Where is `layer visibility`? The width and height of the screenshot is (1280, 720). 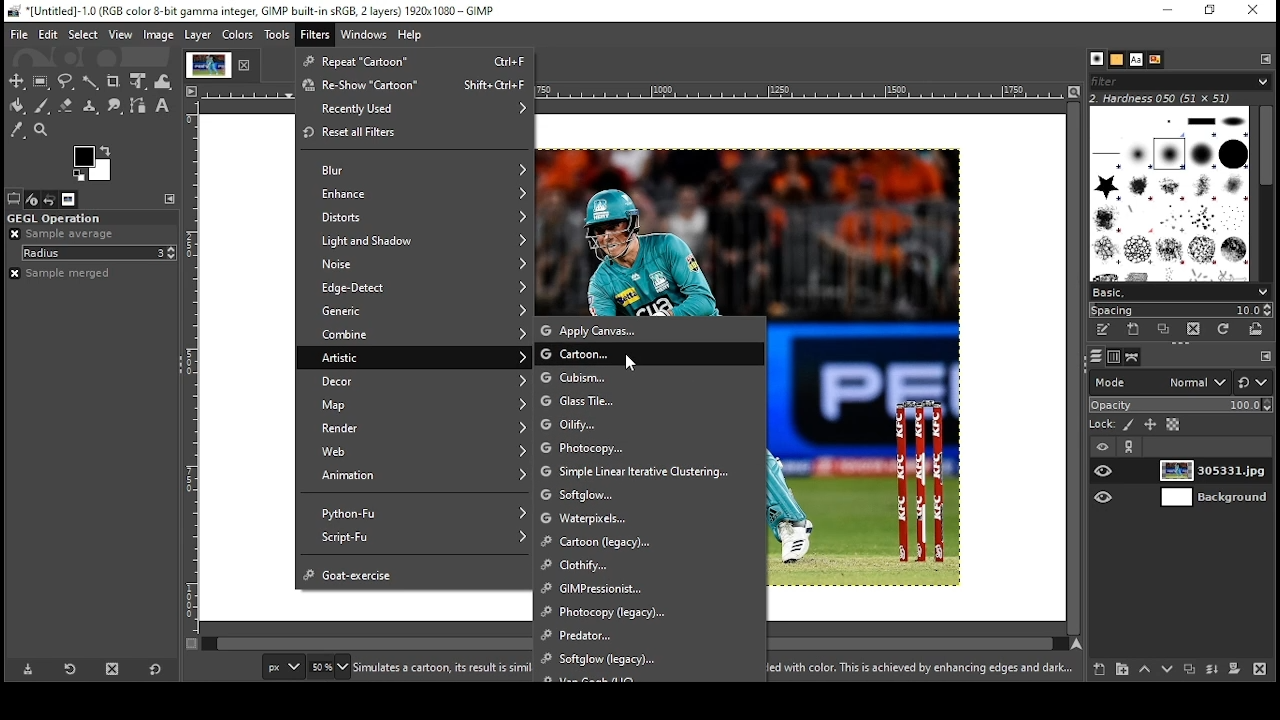 layer visibility is located at coordinates (1105, 447).